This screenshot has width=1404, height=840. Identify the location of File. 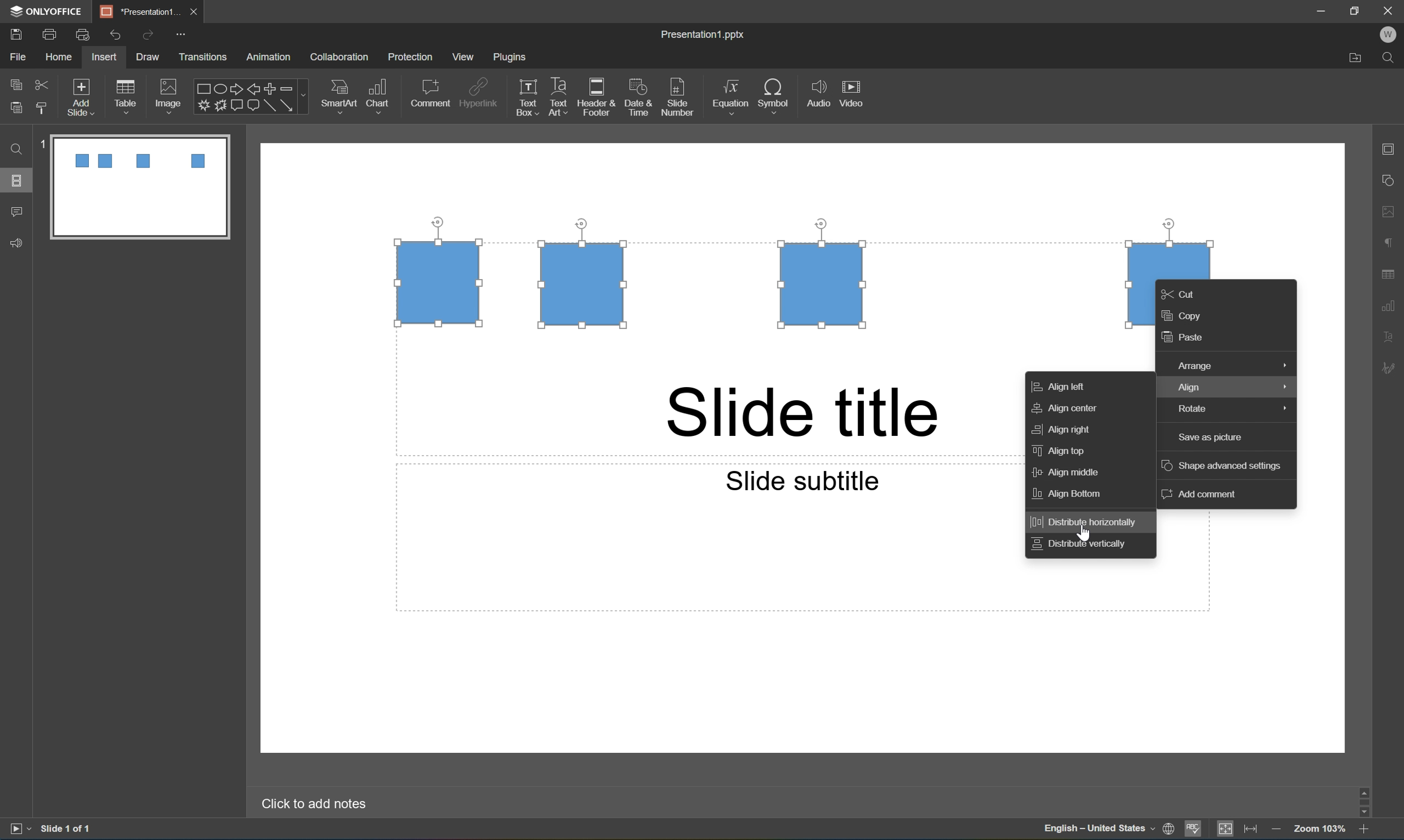
(20, 58).